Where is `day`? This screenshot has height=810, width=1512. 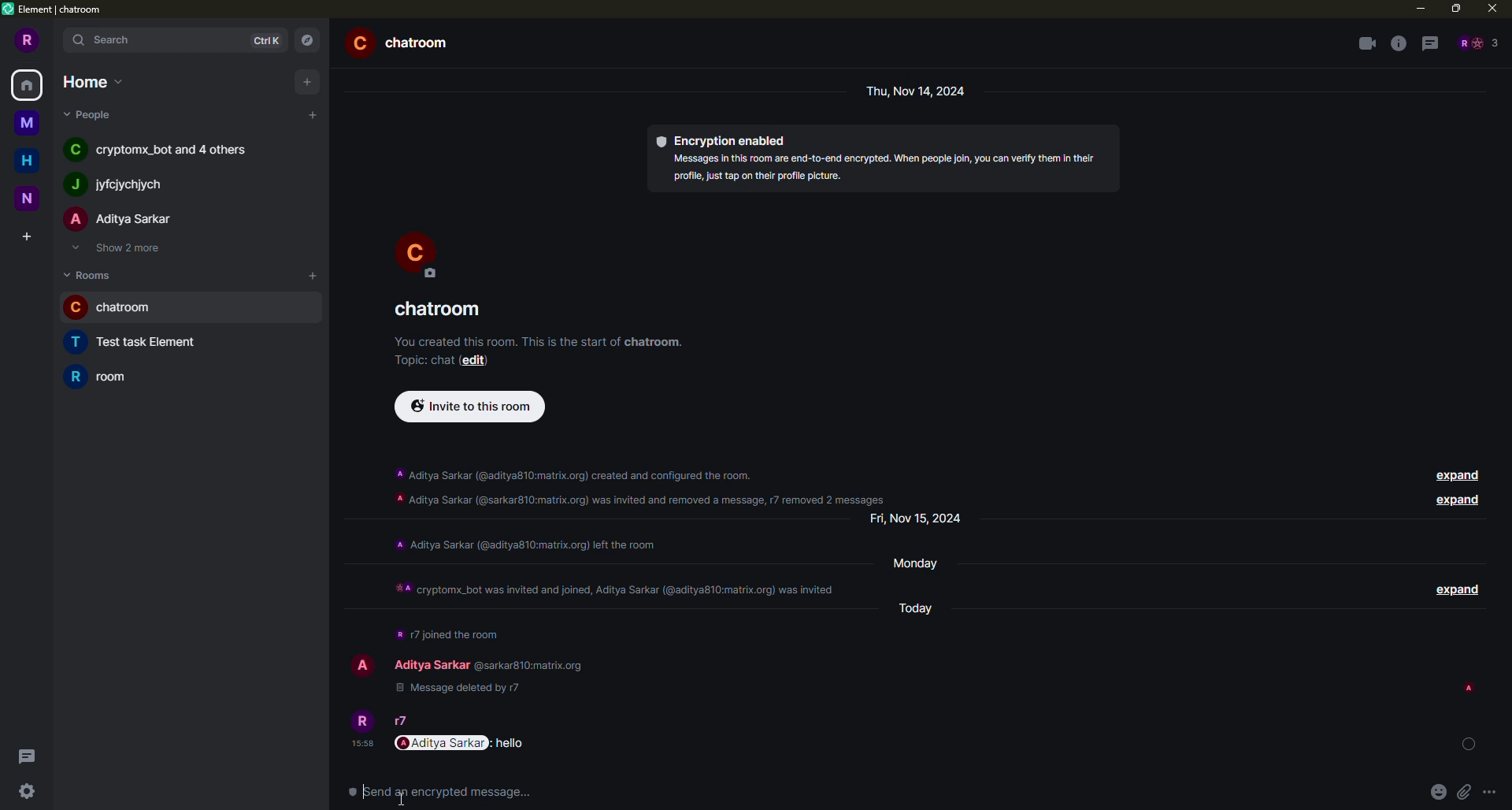 day is located at coordinates (918, 562).